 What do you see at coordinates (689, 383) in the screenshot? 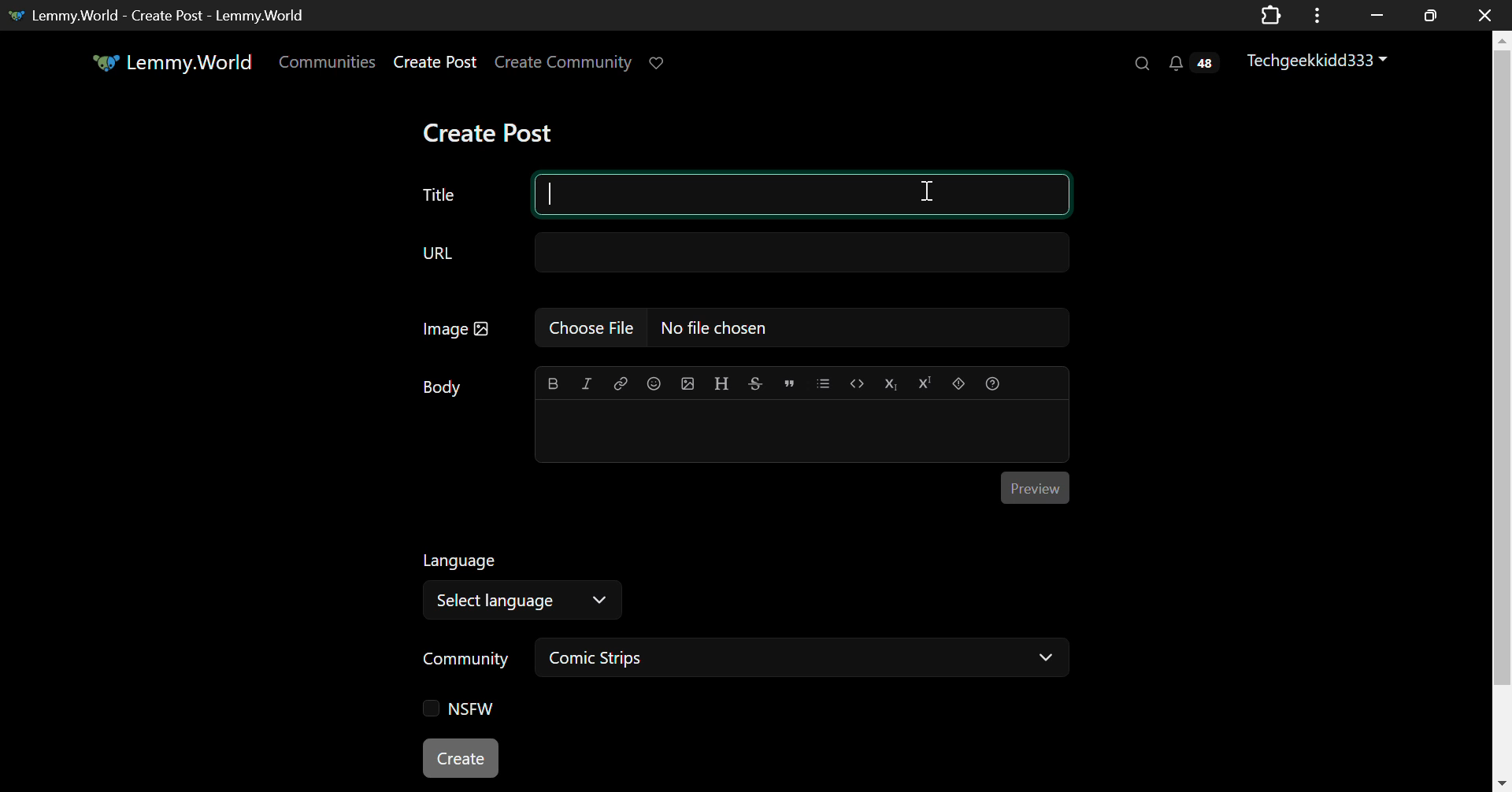
I see `upload image` at bounding box center [689, 383].